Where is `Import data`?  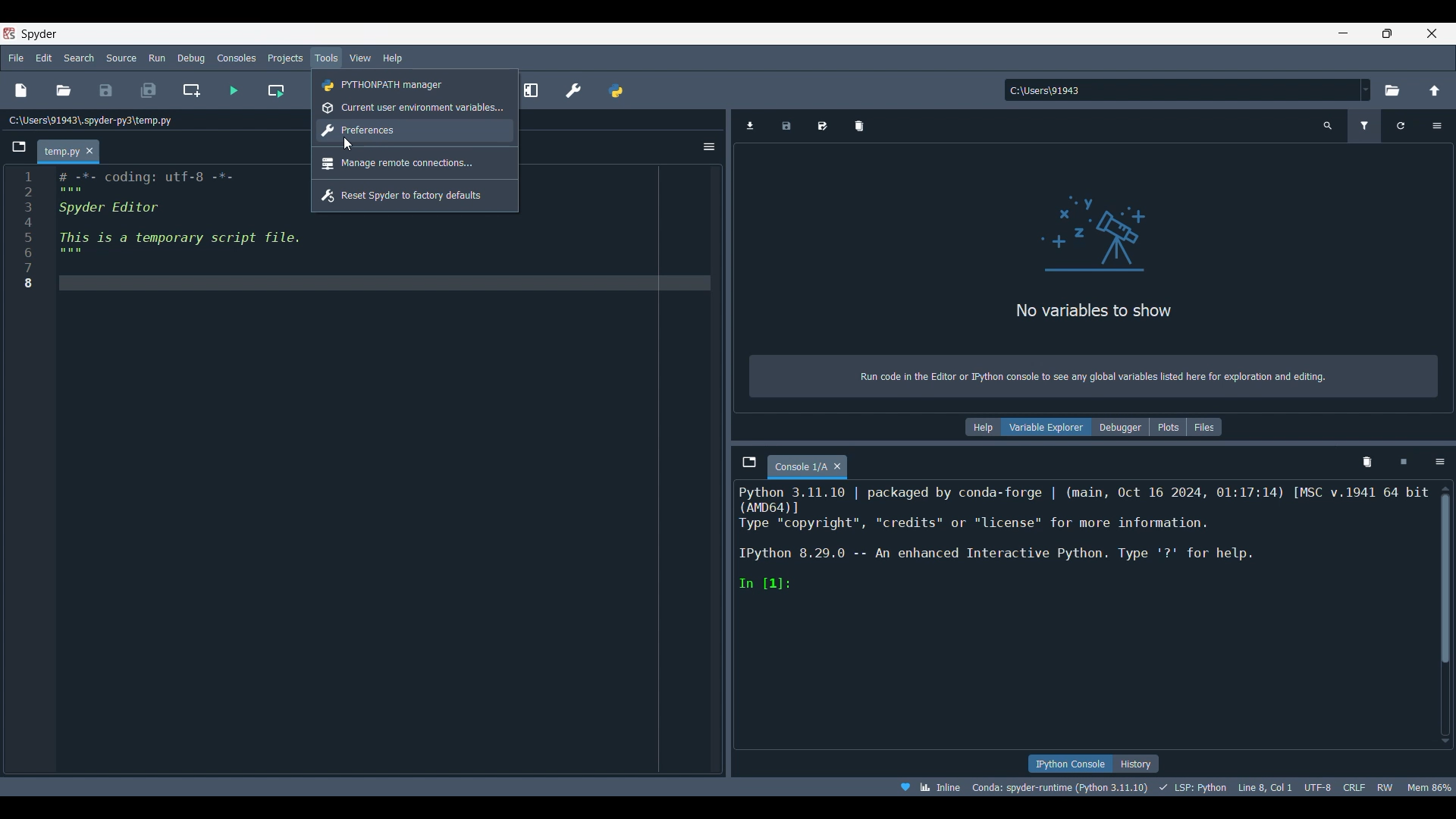 Import data is located at coordinates (751, 126).